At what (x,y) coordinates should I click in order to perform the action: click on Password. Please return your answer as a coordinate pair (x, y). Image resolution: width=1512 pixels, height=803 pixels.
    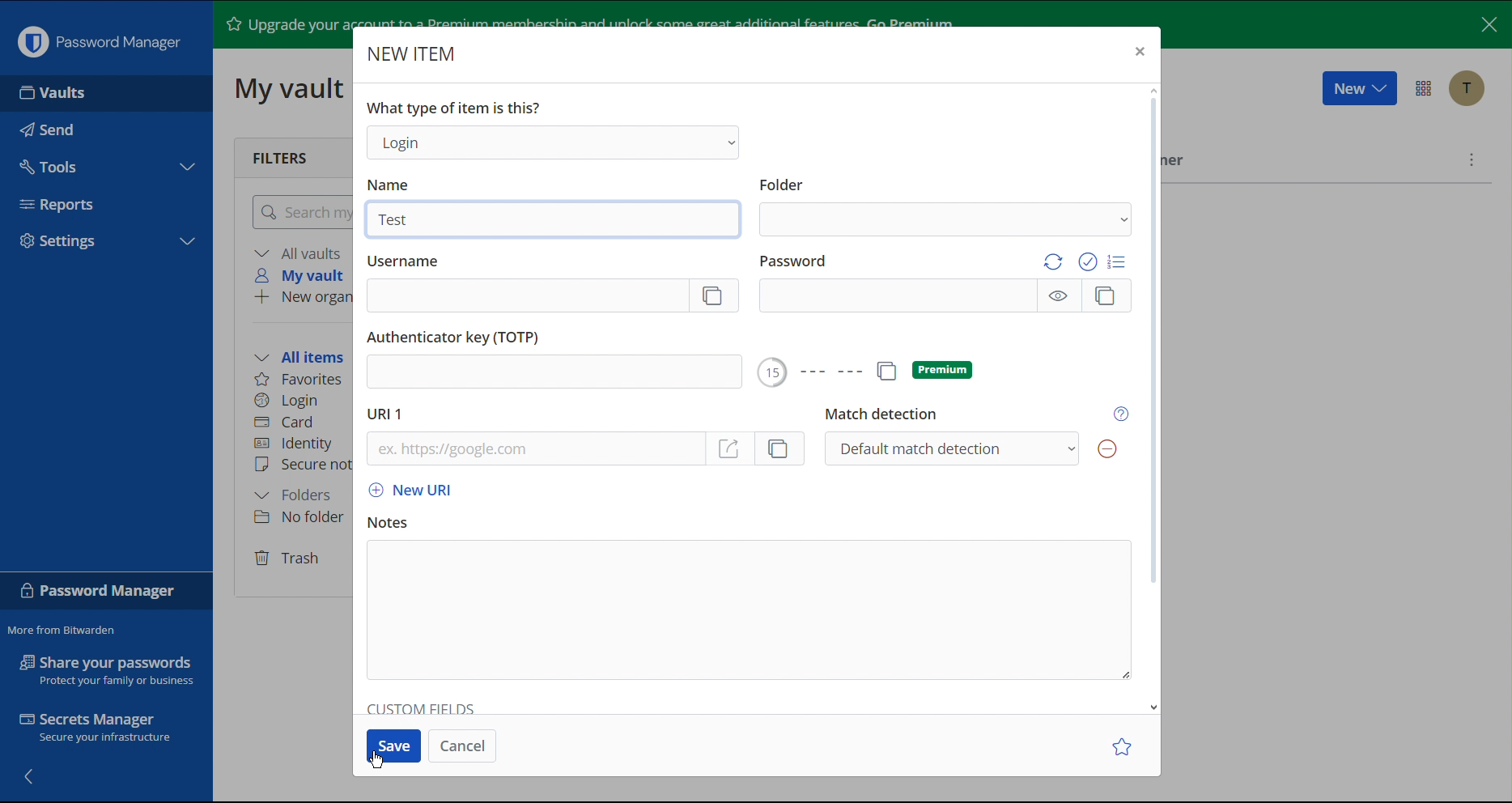
    Looking at the image, I should click on (946, 283).